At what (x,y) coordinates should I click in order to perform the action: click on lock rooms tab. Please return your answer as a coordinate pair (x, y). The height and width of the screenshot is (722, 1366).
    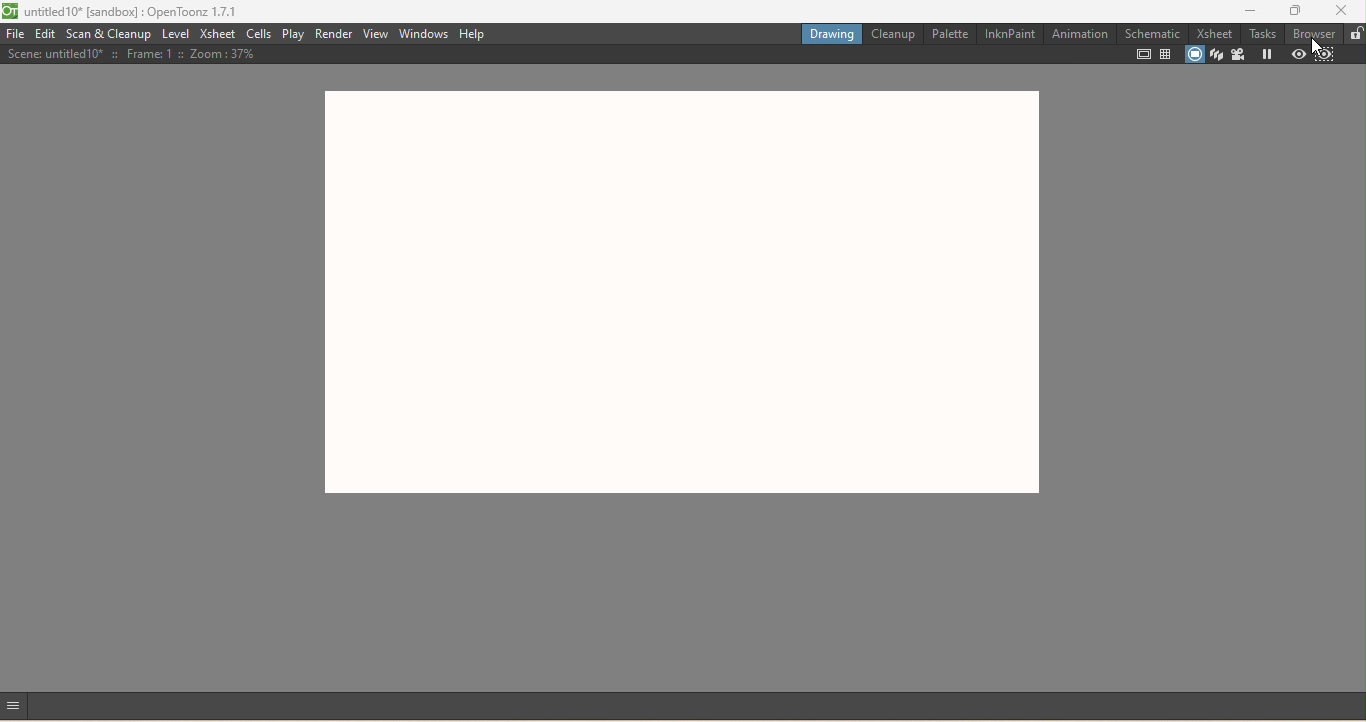
    Looking at the image, I should click on (1355, 33).